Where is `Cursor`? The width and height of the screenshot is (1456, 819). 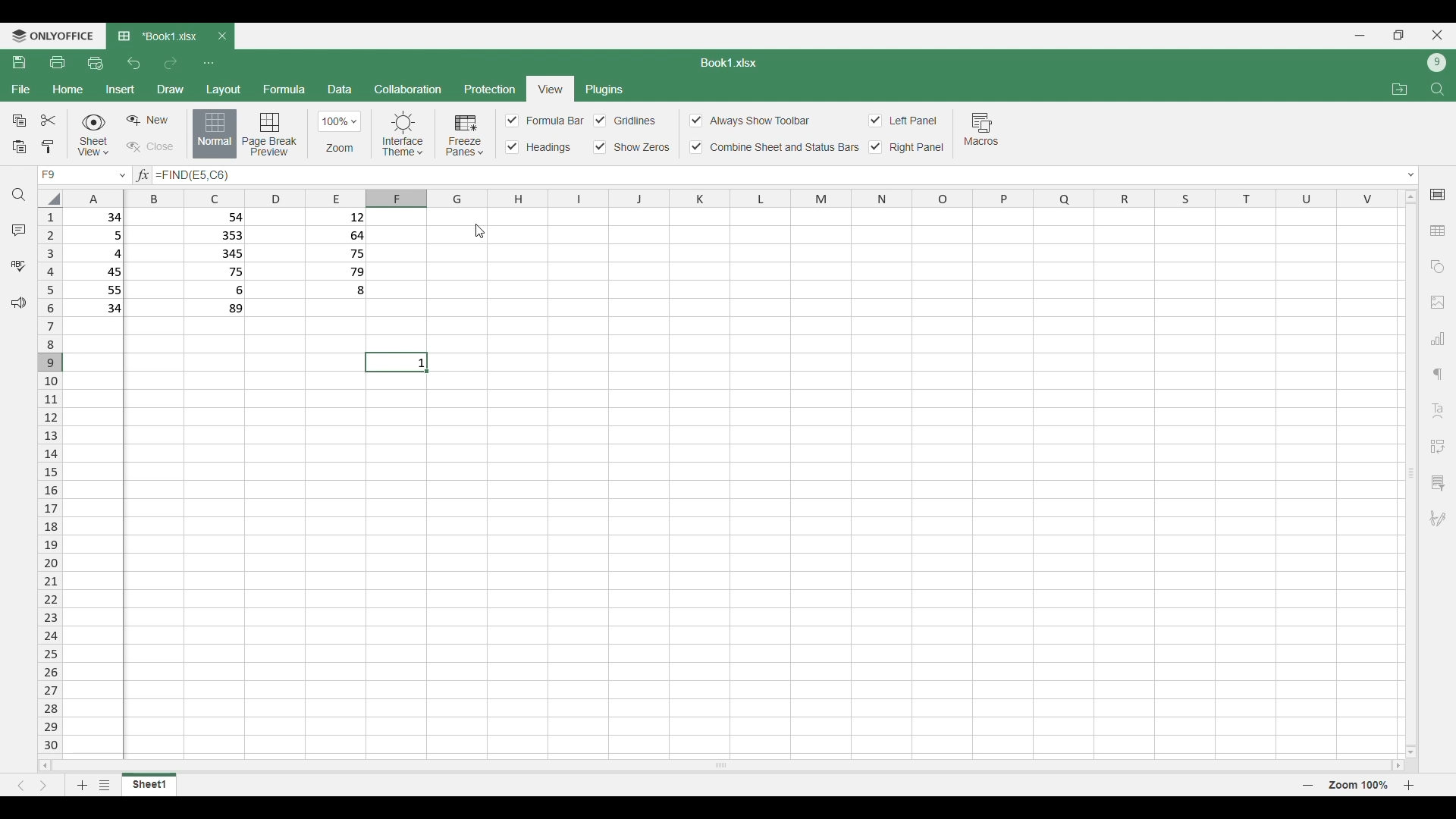
Cursor is located at coordinates (481, 232).